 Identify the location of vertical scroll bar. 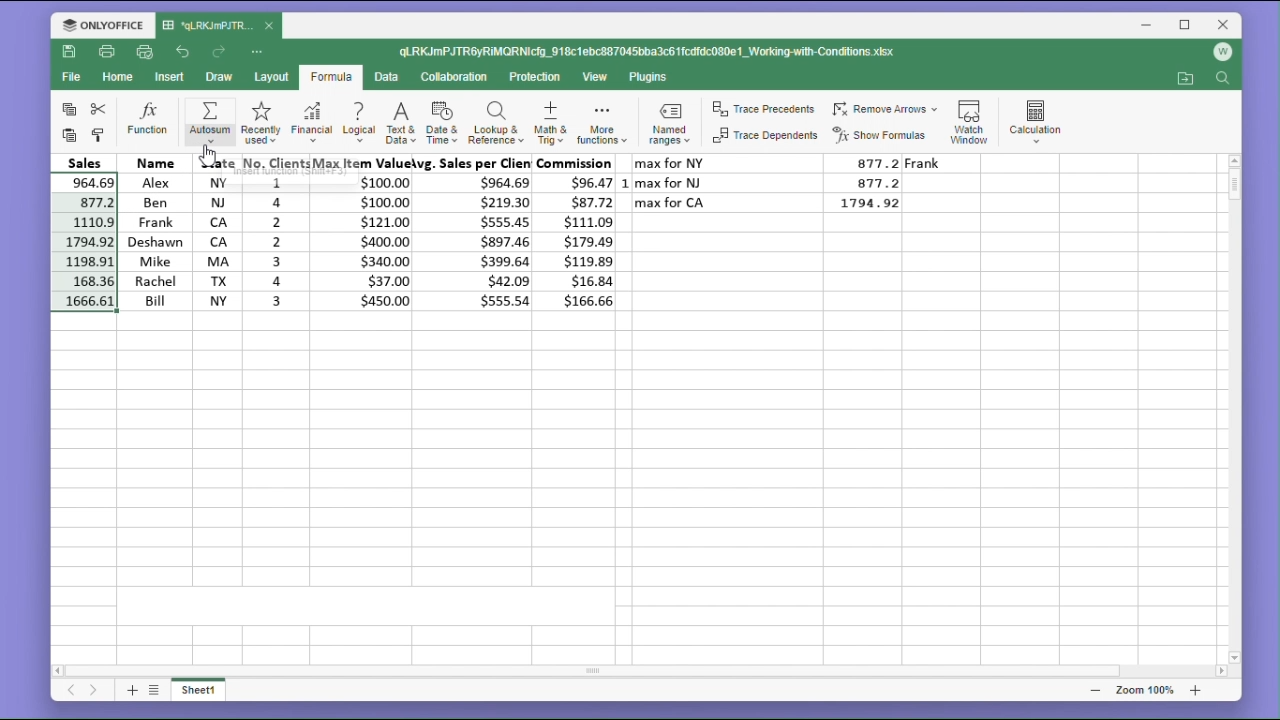
(1234, 409).